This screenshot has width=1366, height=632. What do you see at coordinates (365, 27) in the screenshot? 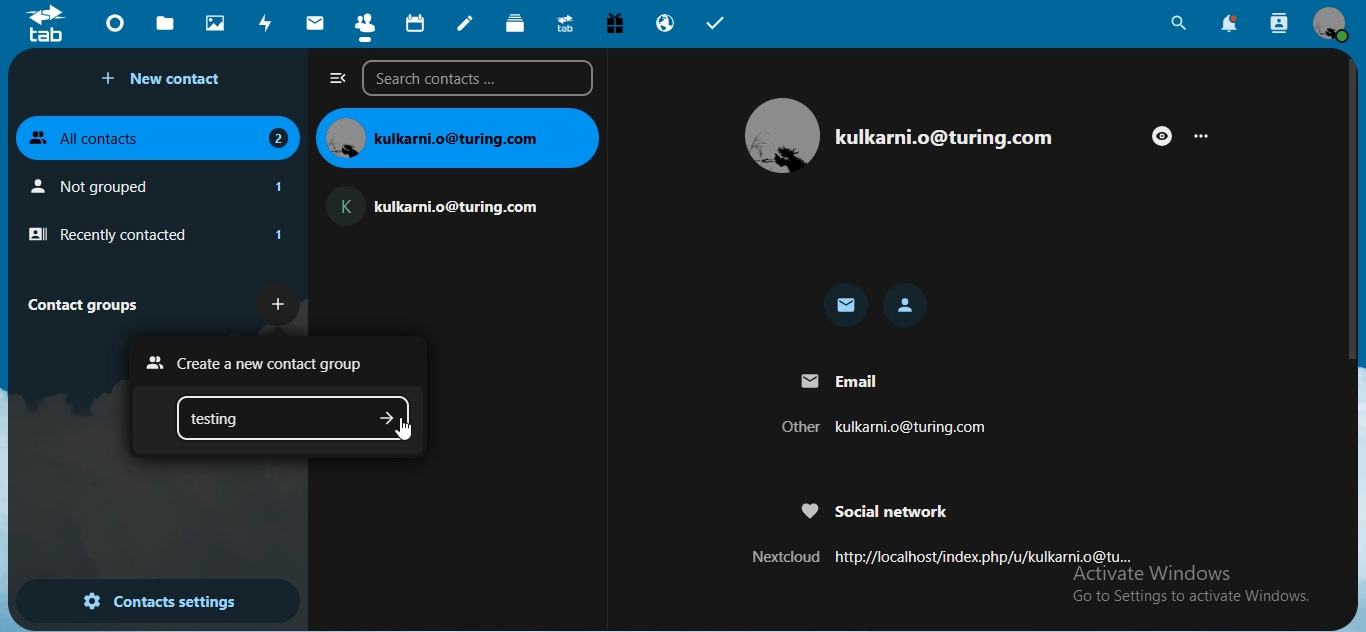
I see `contacts` at bounding box center [365, 27].